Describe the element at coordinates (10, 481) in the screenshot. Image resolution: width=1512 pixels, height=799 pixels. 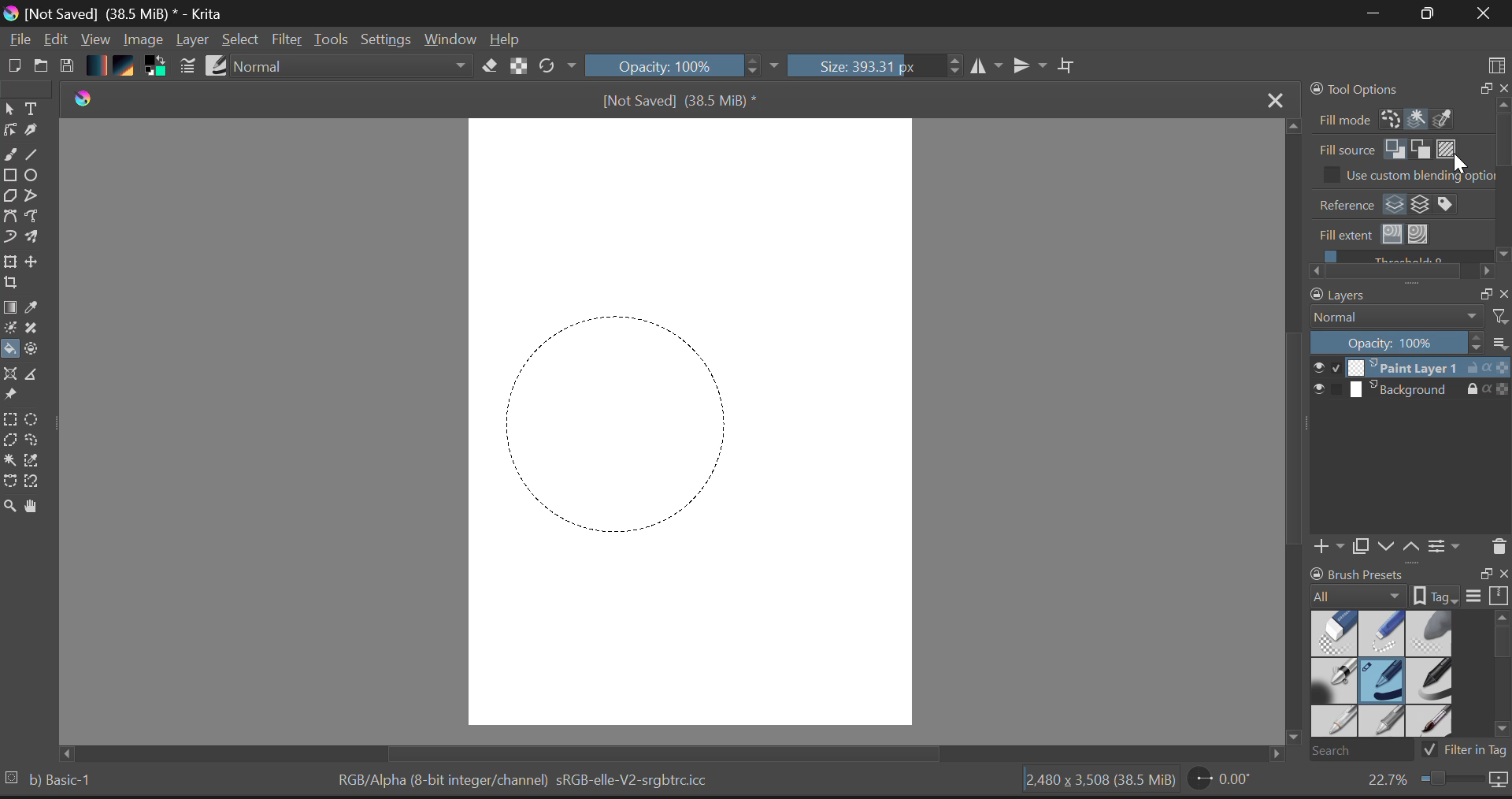
I see `Bezier Curve` at that location.